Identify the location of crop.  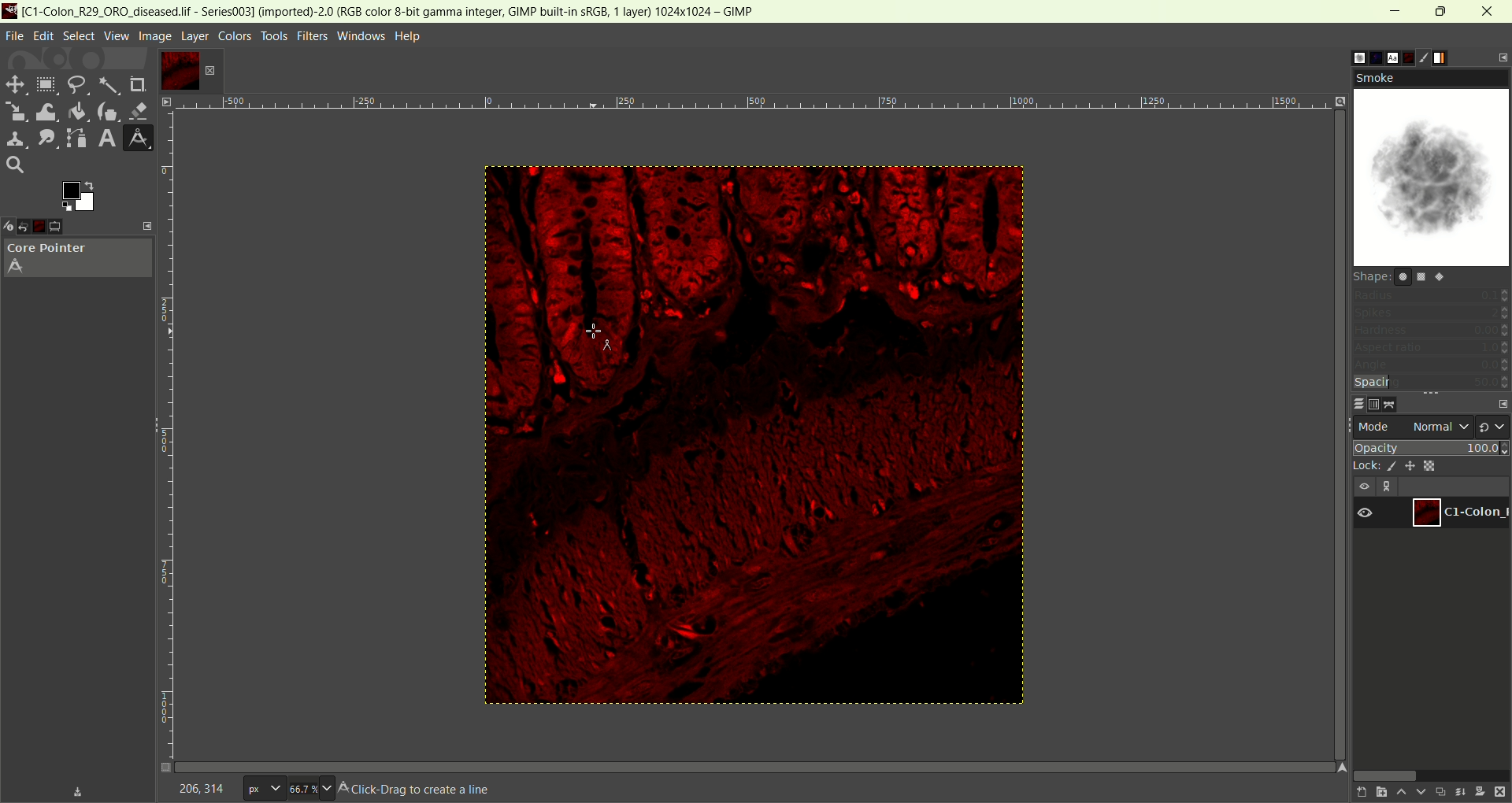
(139, 85).